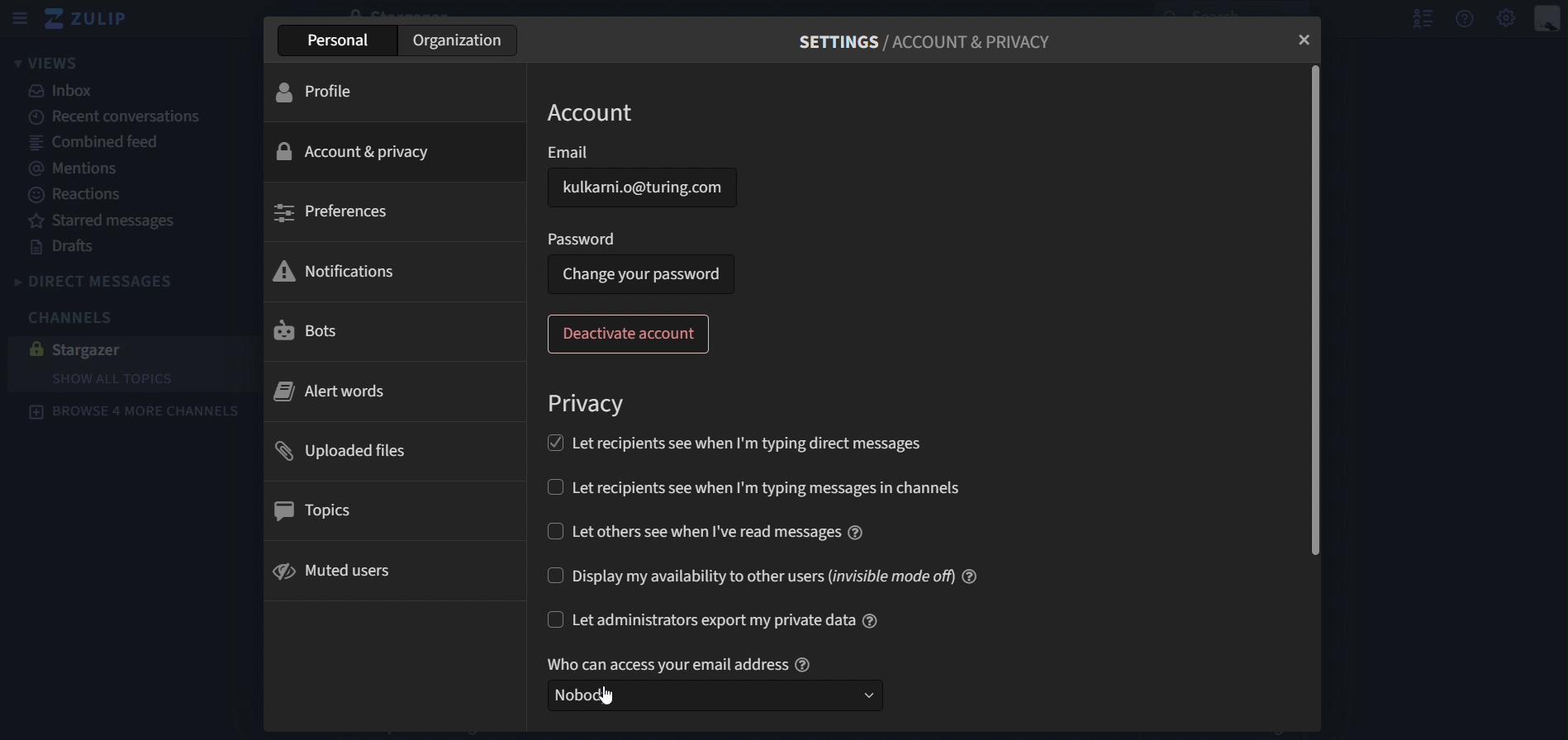 The image size is (1568, 740). Describe the element at coordinates (643, 188) in the screenshot. I see `email` at that location.